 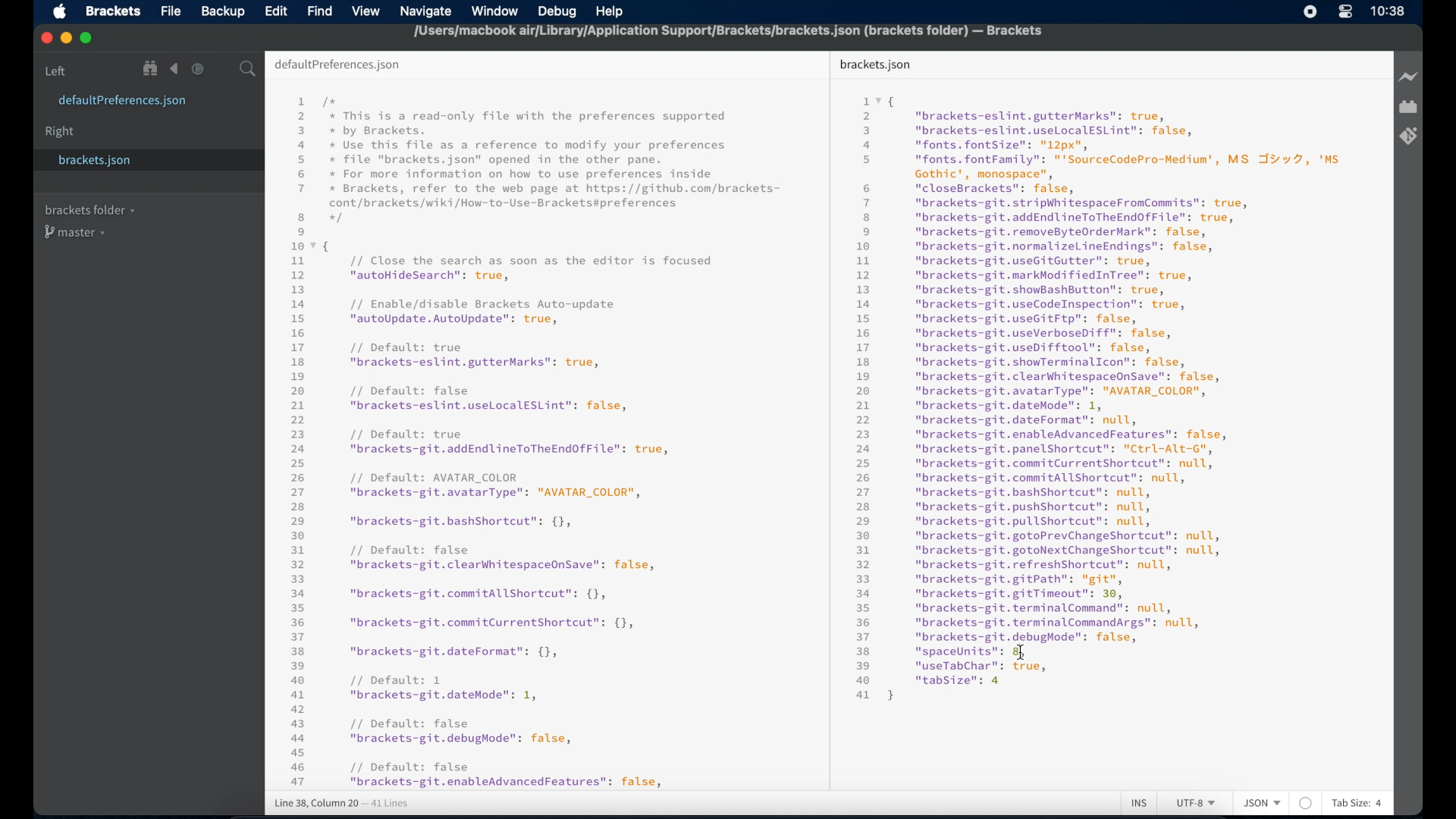 What do you see at coordinates (826, 419) in the screenshot?
I see `divider` at bounding box center [826, 419].